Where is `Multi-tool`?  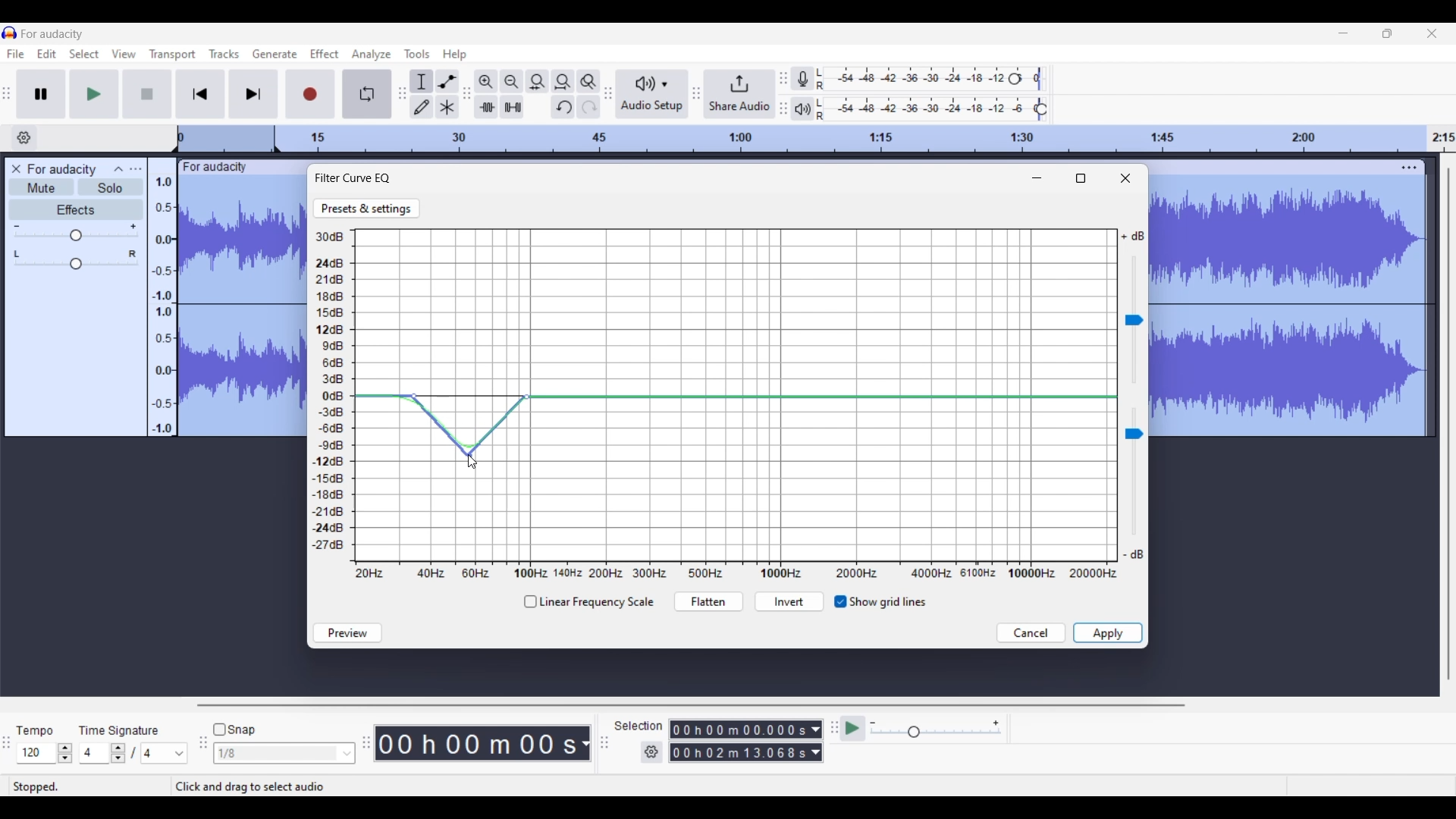 Multi-tool is located at coordinates (447, 106).